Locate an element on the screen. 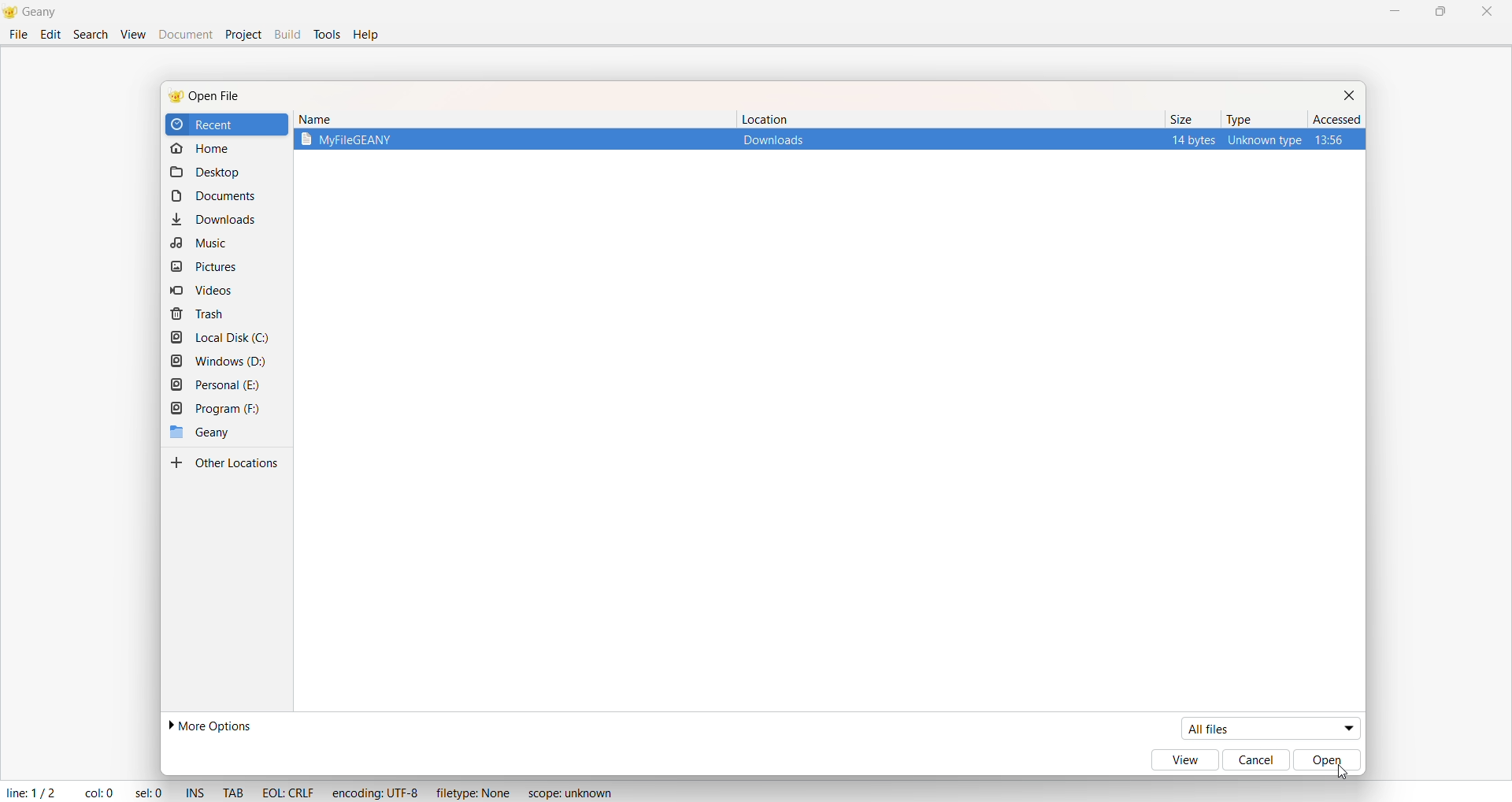 This screenshot has height=802, width=1512. Title is located at coordinates (44, 13).